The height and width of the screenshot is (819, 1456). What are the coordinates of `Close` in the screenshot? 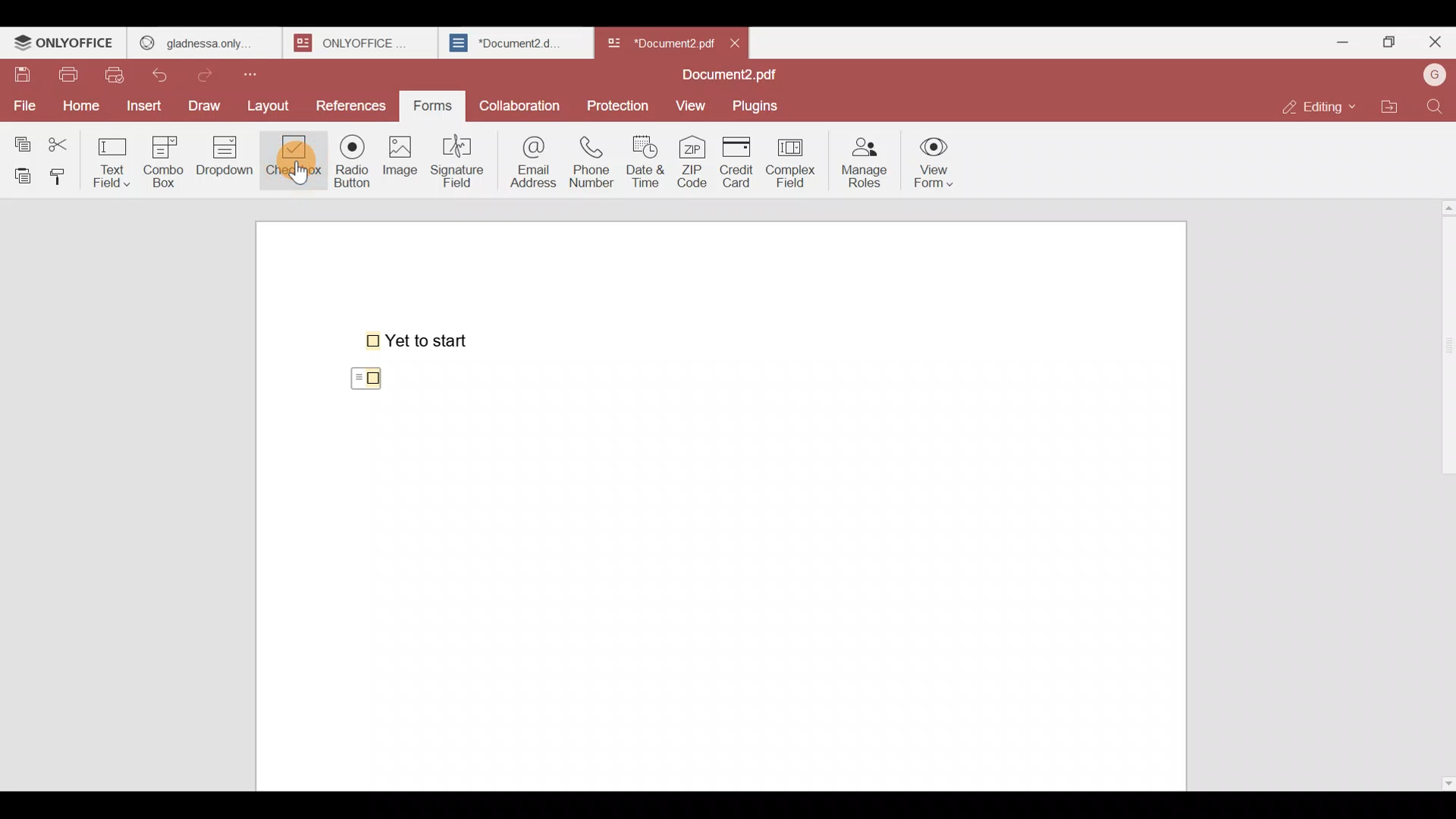 It's located at (1434, 45).